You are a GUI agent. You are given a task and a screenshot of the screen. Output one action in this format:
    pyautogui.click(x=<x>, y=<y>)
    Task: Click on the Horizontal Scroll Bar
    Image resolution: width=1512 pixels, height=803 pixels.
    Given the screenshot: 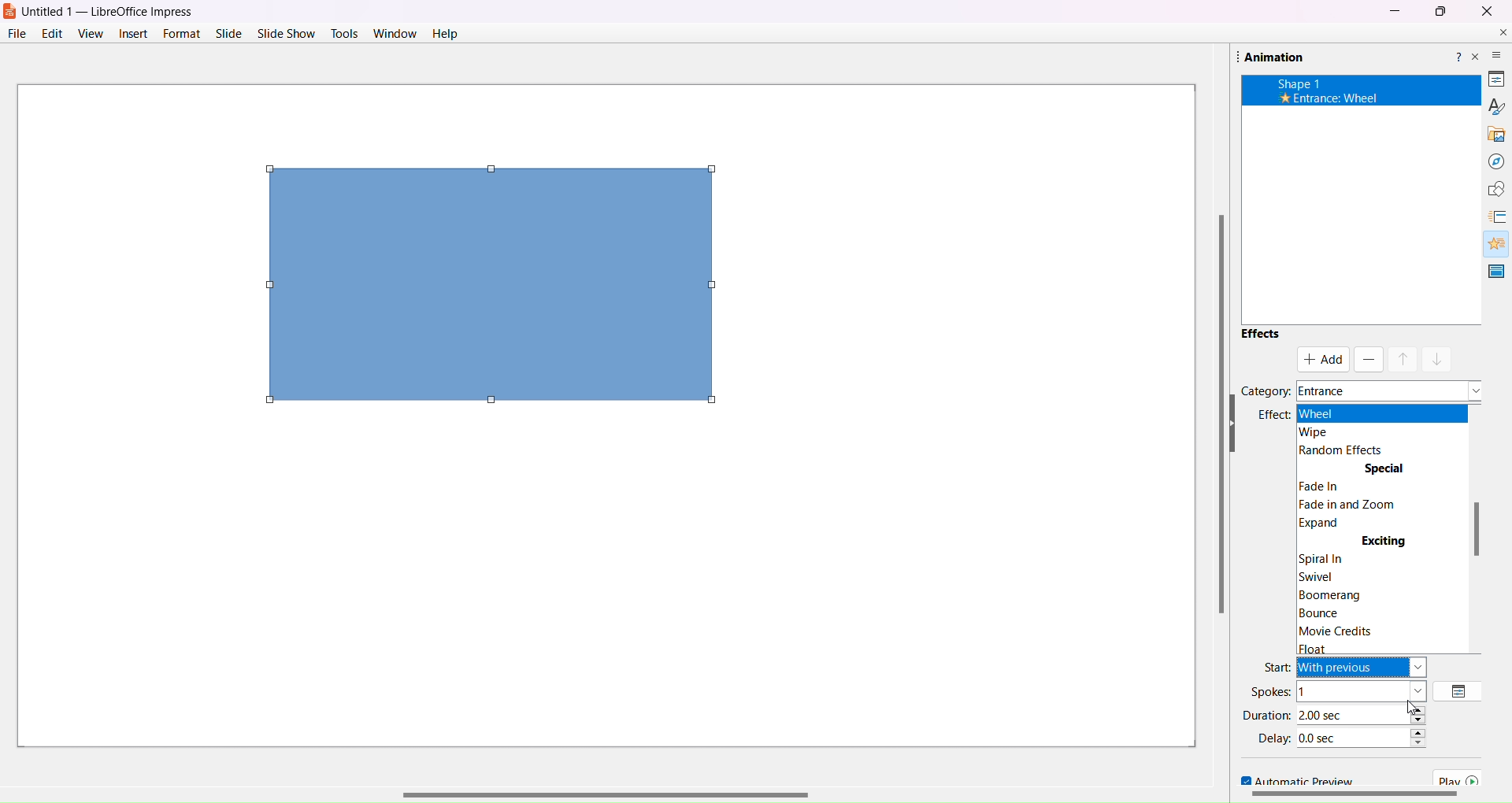 What is the action you would take?
    pyautogui.click(x=632, y=755)
    